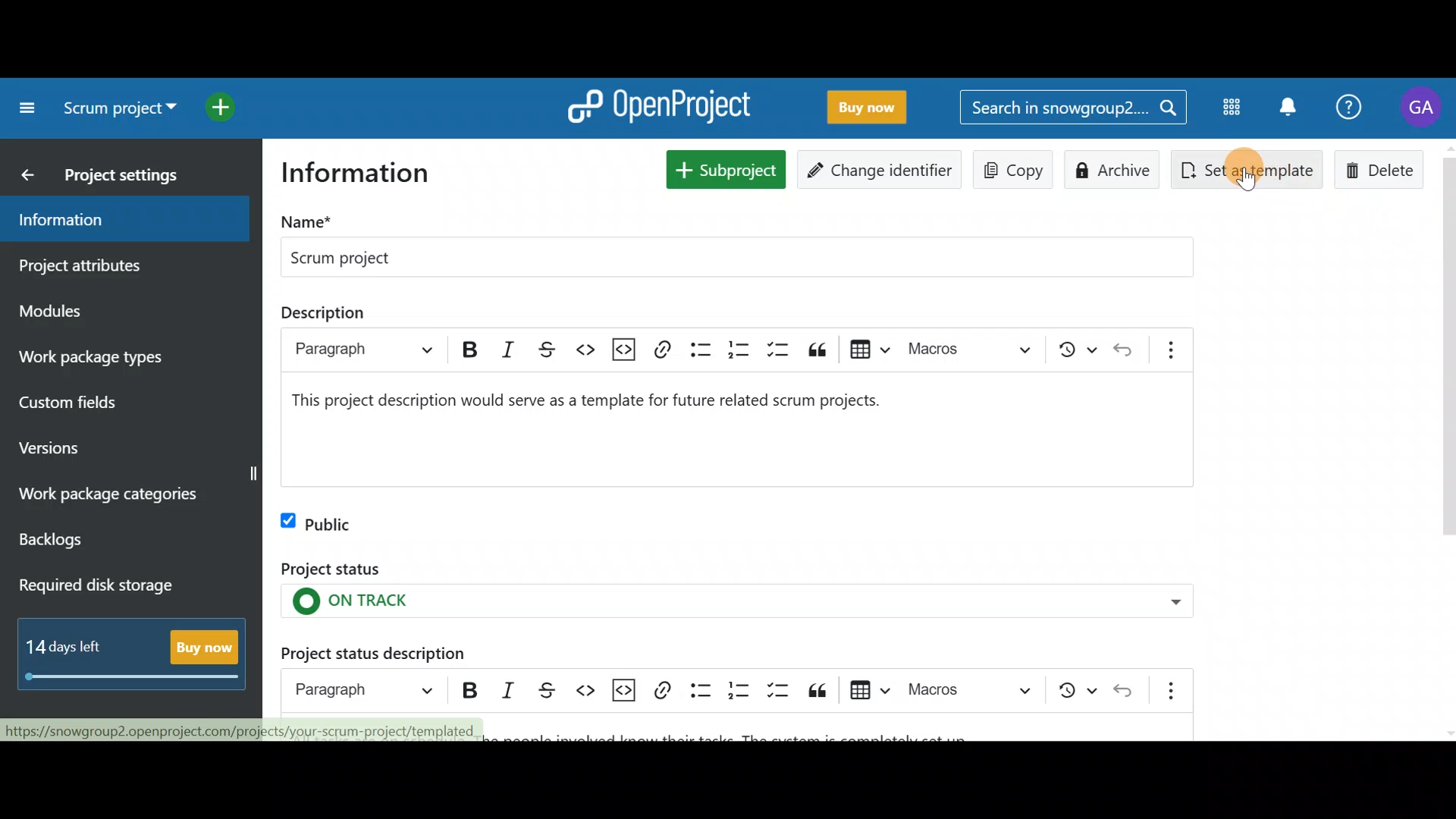  I want to click on undo, so click(1122, 349).